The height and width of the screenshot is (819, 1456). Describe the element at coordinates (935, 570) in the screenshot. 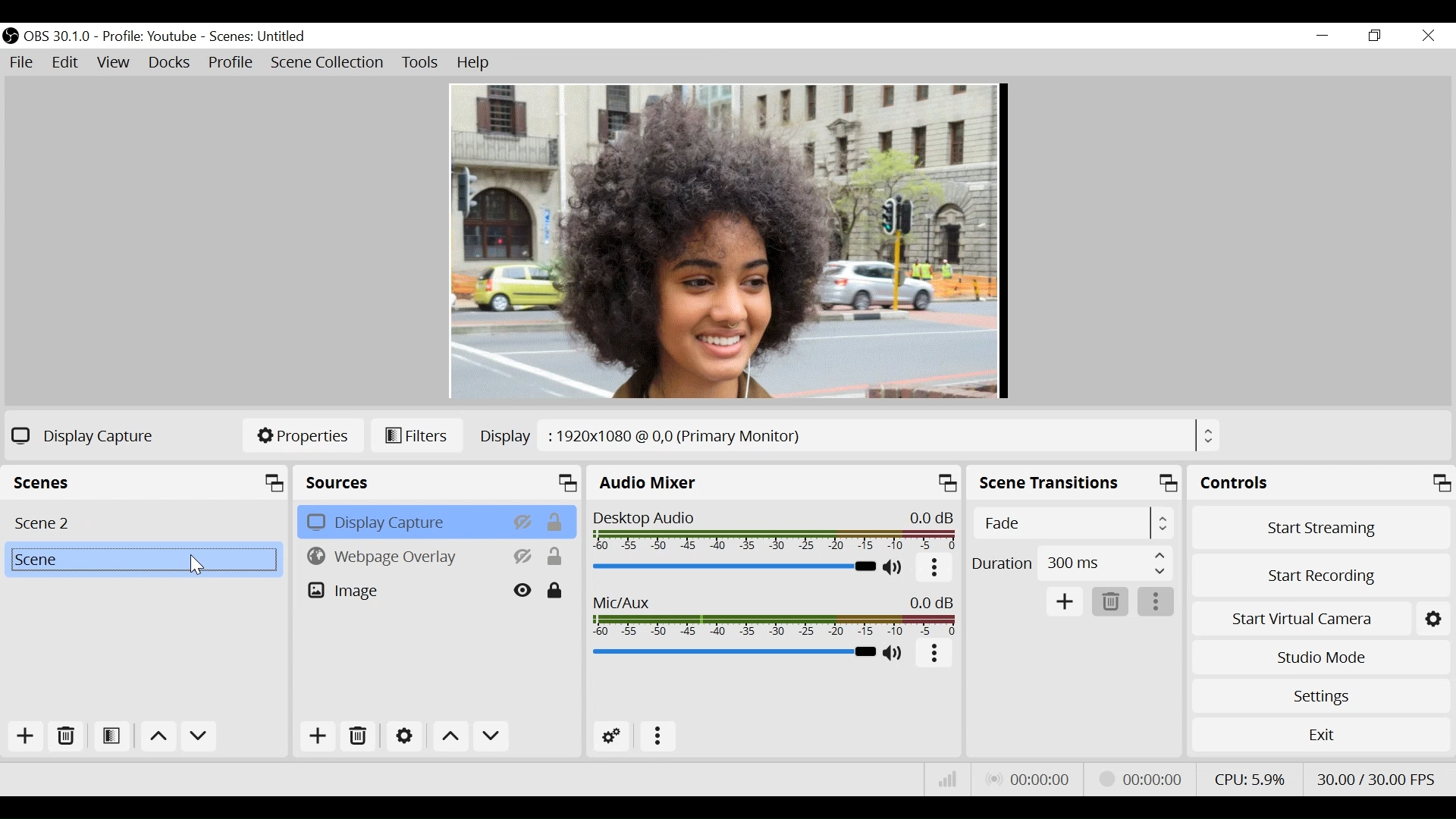

I see `More Options` at that location.